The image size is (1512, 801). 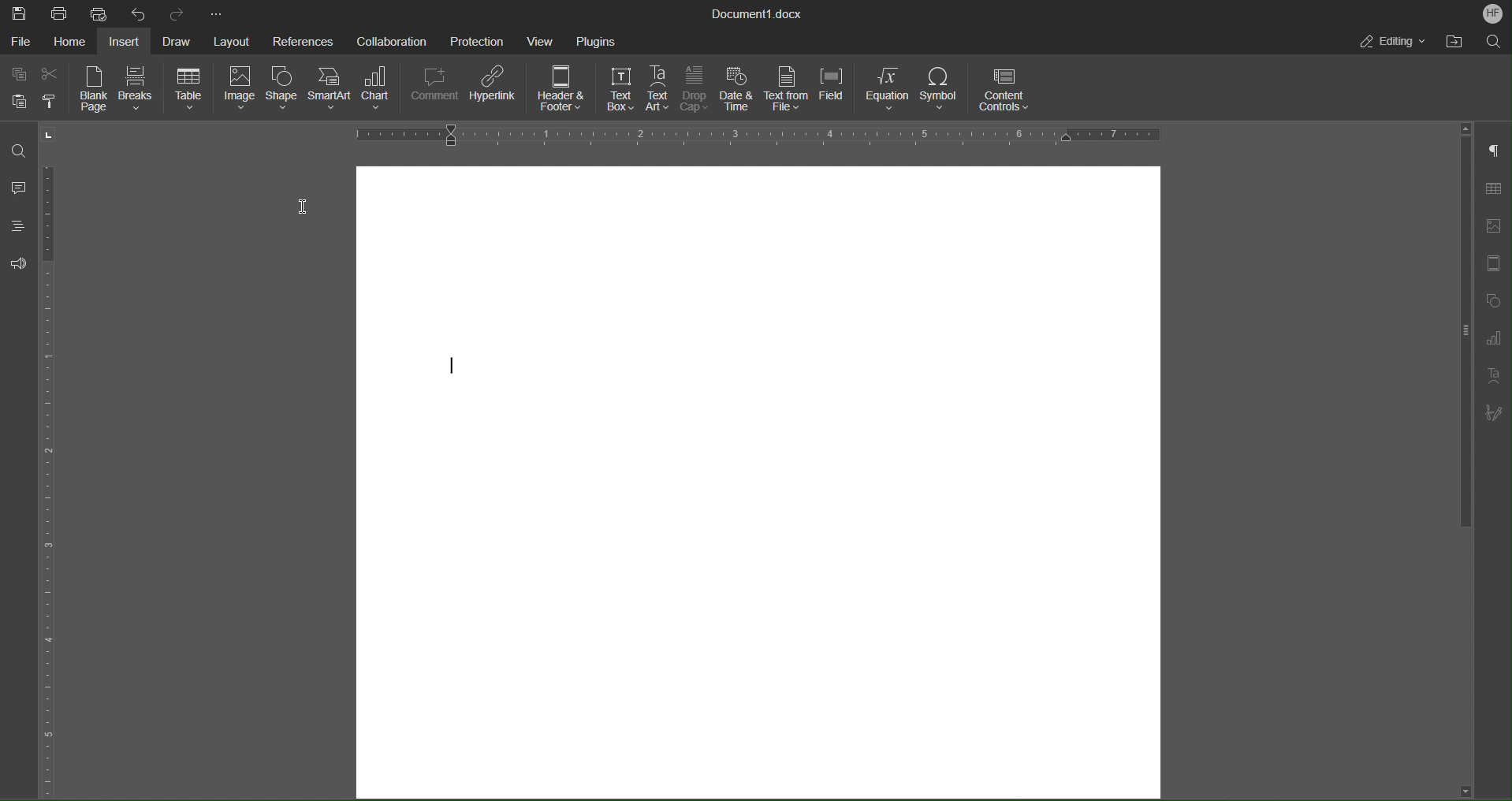 What do you see at coordinates (386, 39) in the screenshot?
I see `Collaboration` at bounding box center [386, 39].